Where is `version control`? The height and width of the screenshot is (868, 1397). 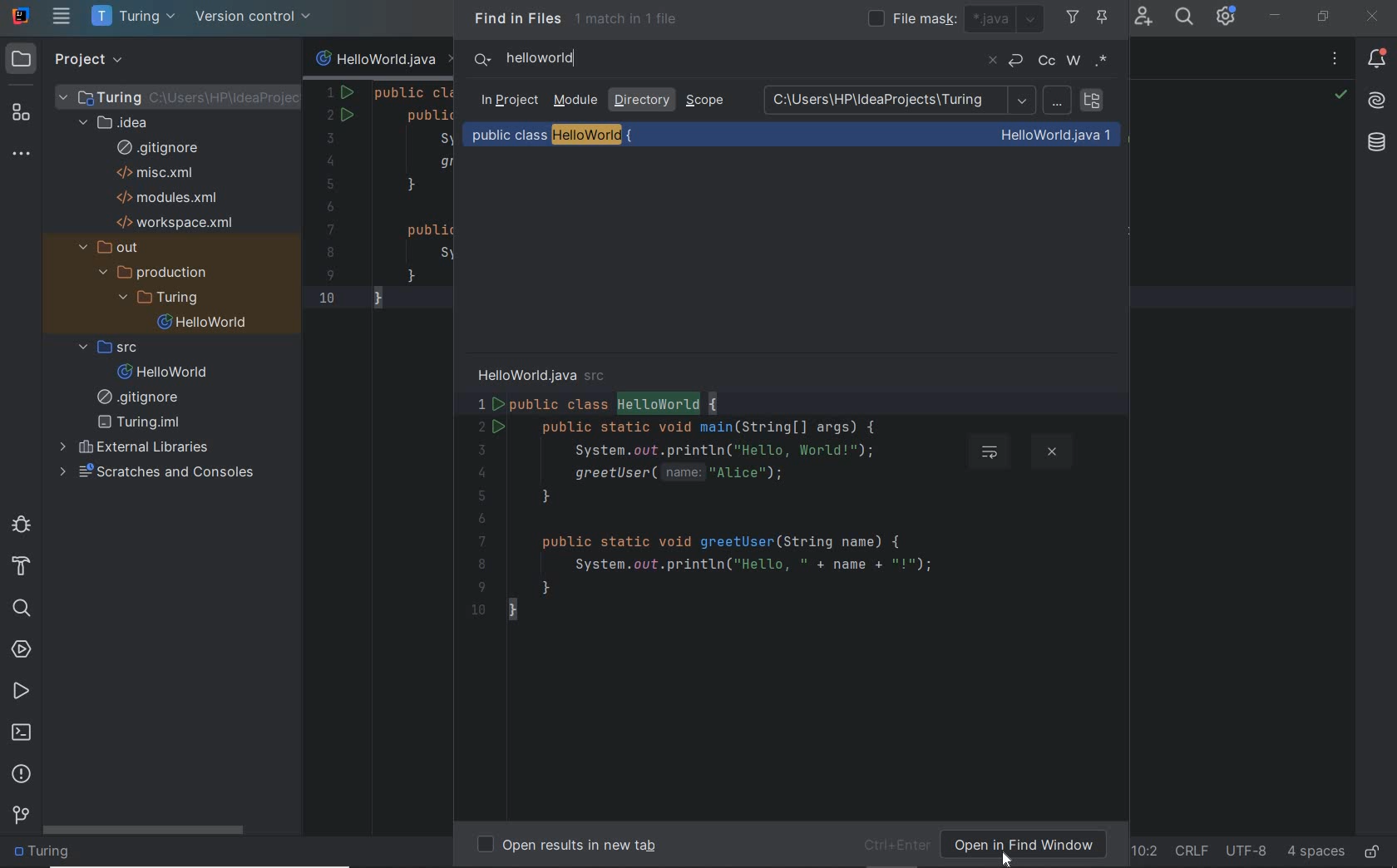
version control is located at coordinates (19, 816).